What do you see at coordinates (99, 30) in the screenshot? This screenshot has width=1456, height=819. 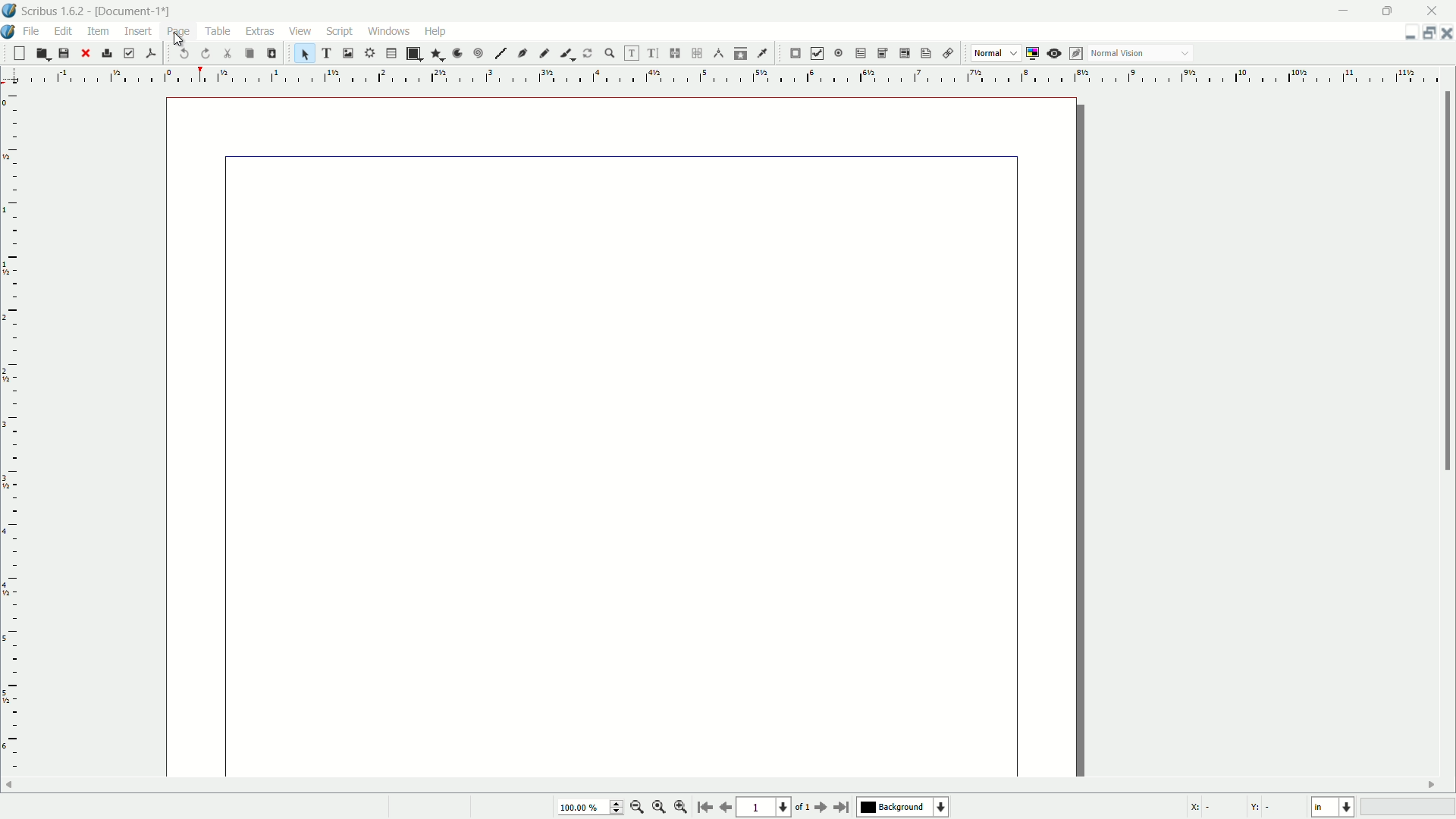 I see `item menu` at bounding box center [99, 30].